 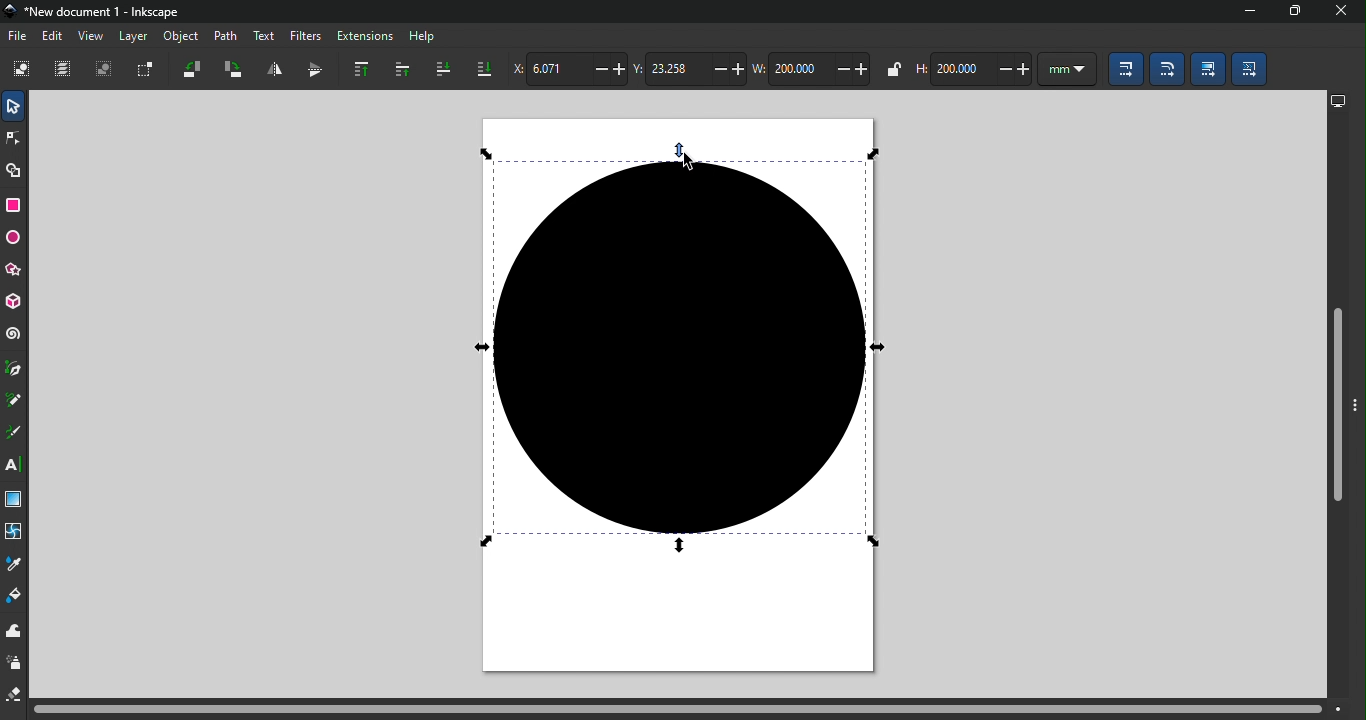 What do you see at coordinates (25, 68) in the screenshot?
I see `Select all objects` at bounding box center [25, 68].